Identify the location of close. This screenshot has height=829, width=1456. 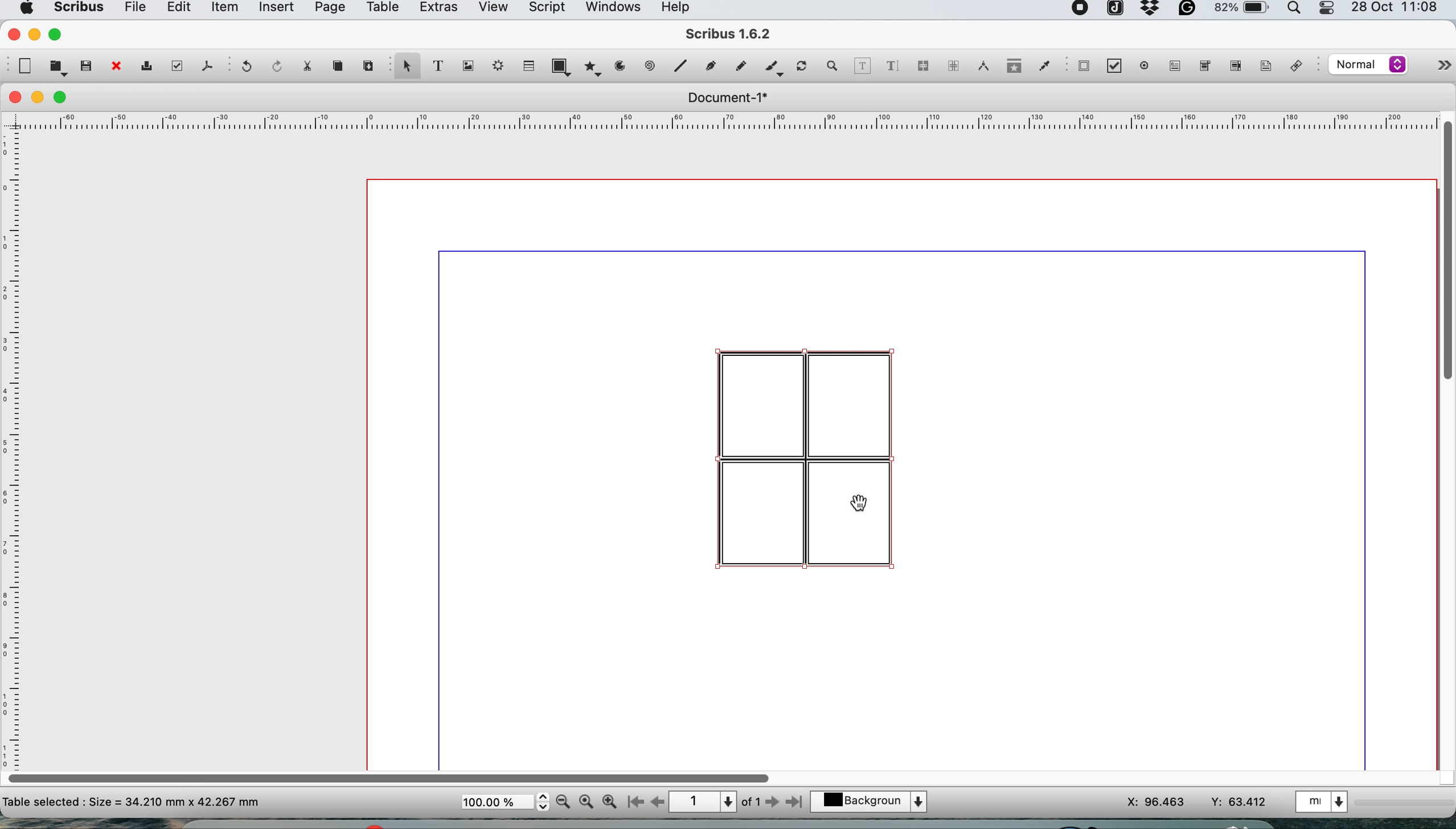
(115, 67).